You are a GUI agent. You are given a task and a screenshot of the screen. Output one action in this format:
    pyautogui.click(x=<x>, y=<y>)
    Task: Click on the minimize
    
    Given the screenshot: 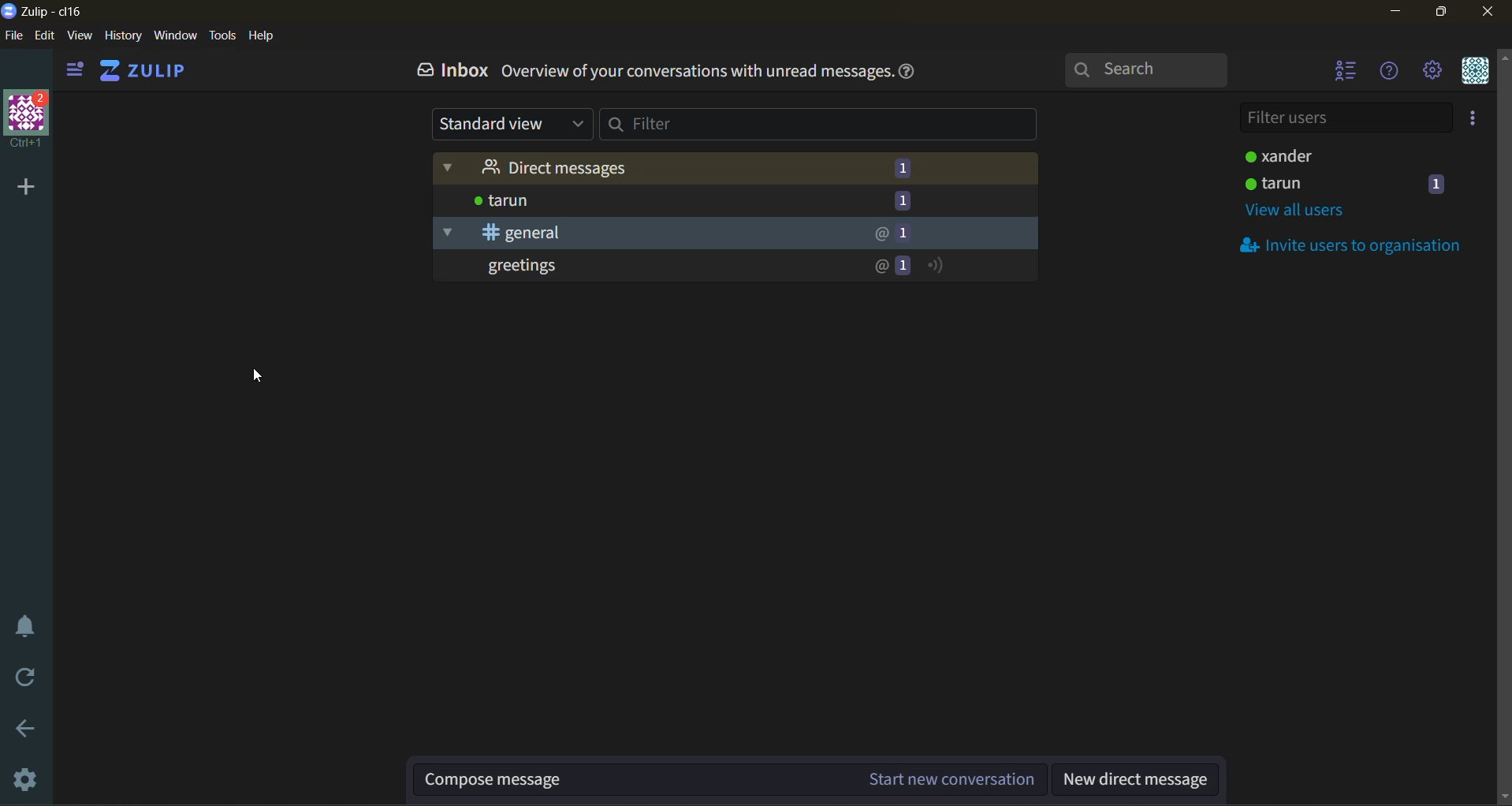 What is the action you would take?
    pyautogui.click(x=1398, y=16)
    